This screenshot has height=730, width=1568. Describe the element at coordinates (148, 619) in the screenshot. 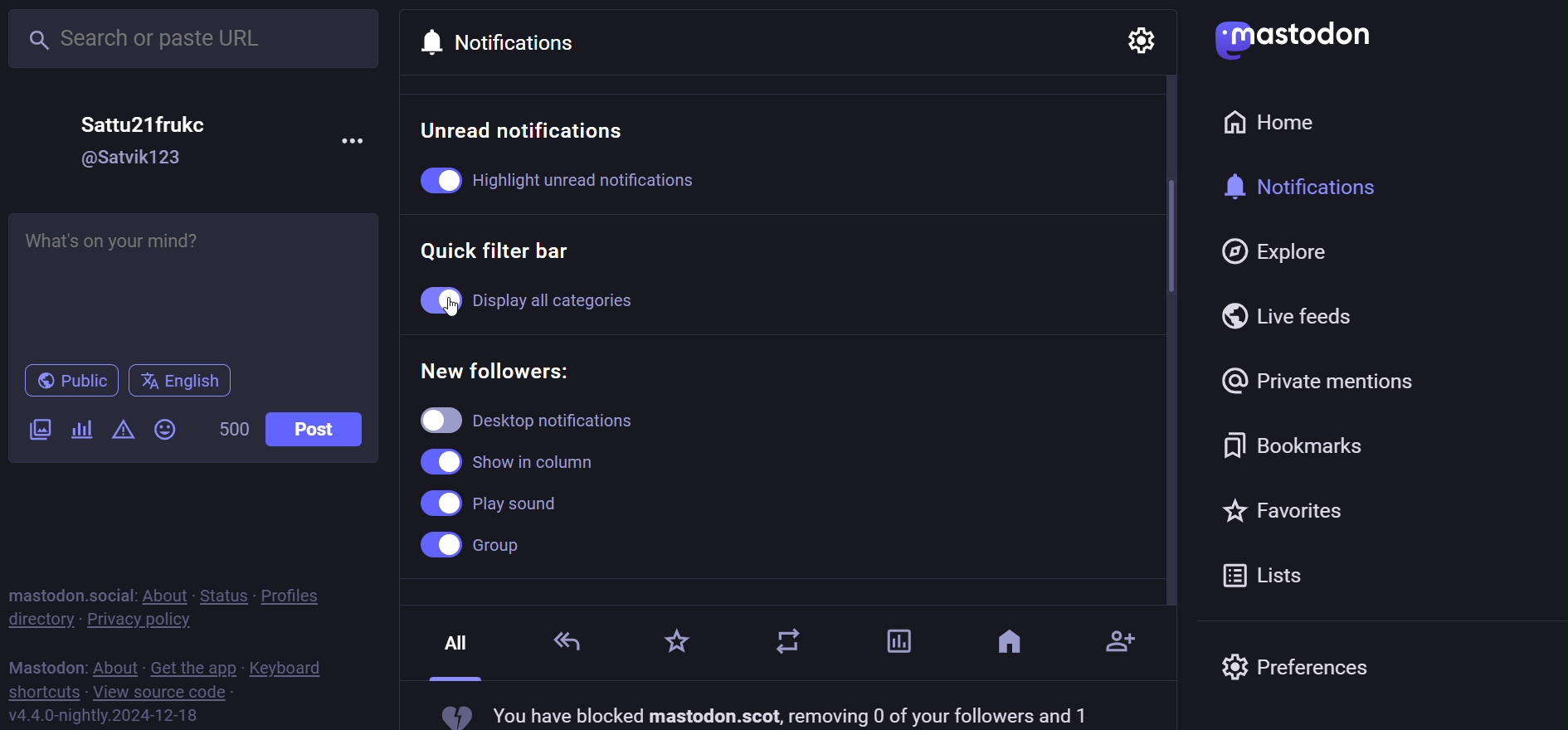

I see `privacy policy` at that location.